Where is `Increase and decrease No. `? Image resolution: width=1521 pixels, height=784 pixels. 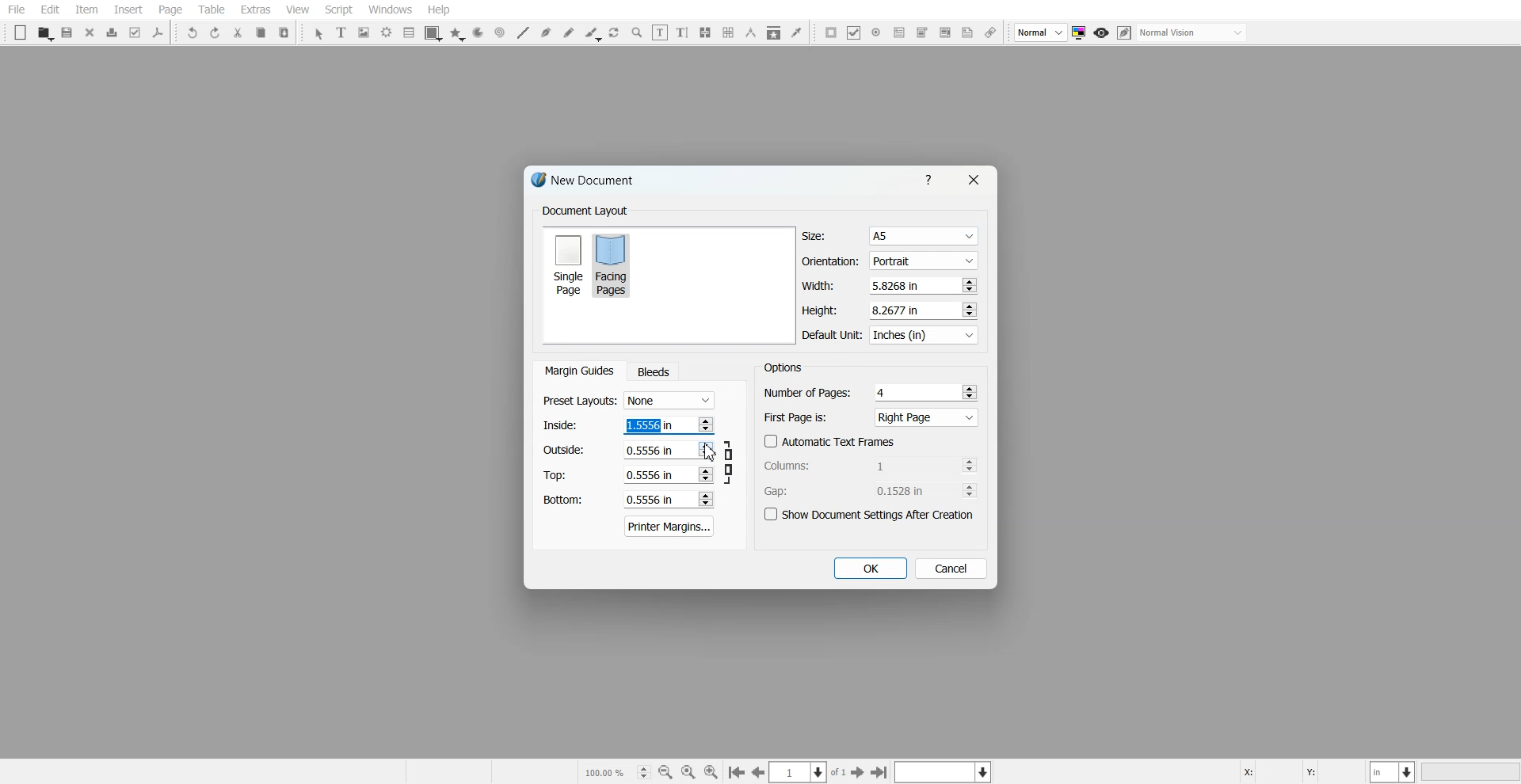 Increase and decrease No.  is located at coordinates (968, 285).